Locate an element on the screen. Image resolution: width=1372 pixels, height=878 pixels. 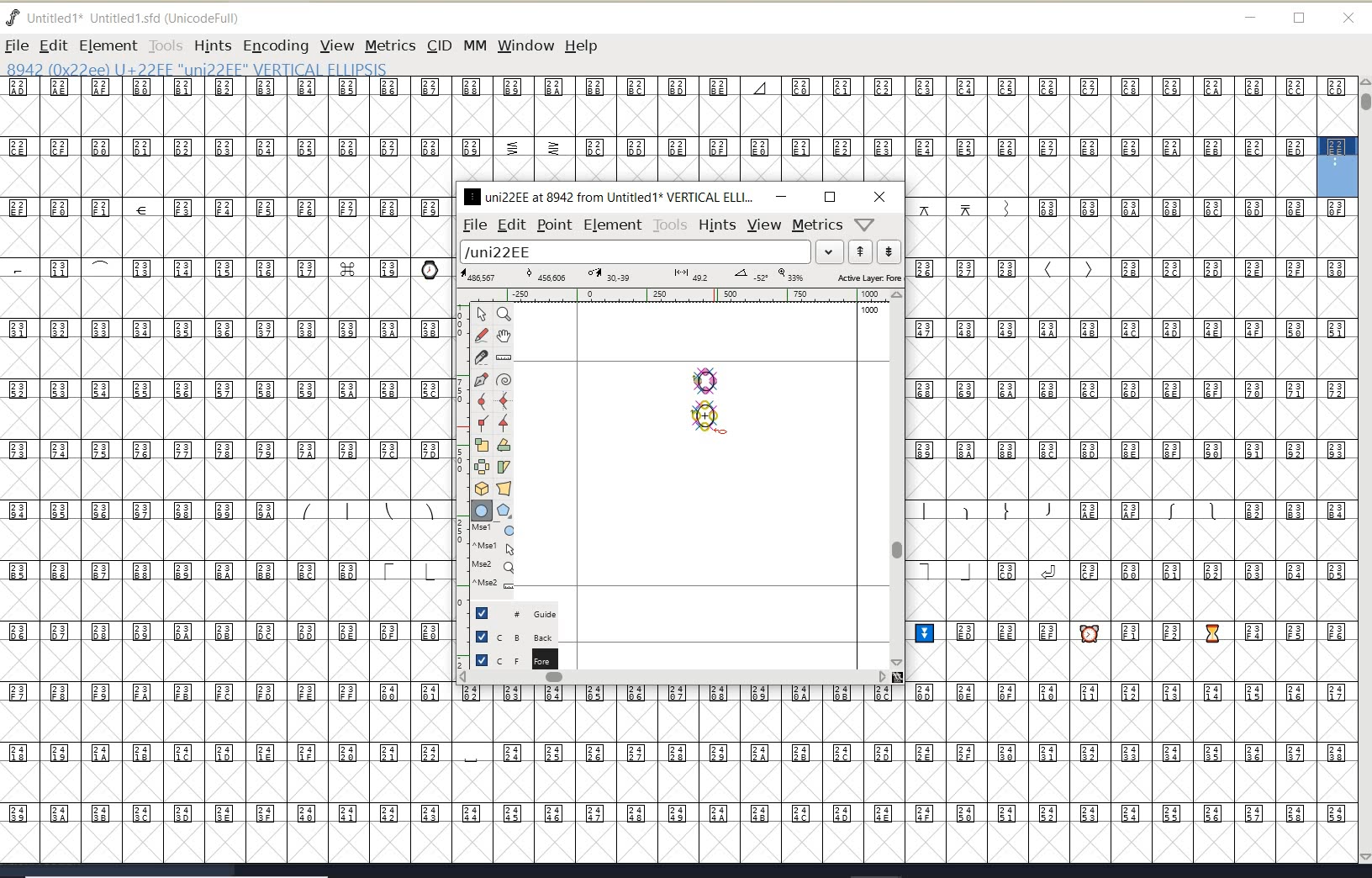
flip the selection is located at coordinates (482, 467).